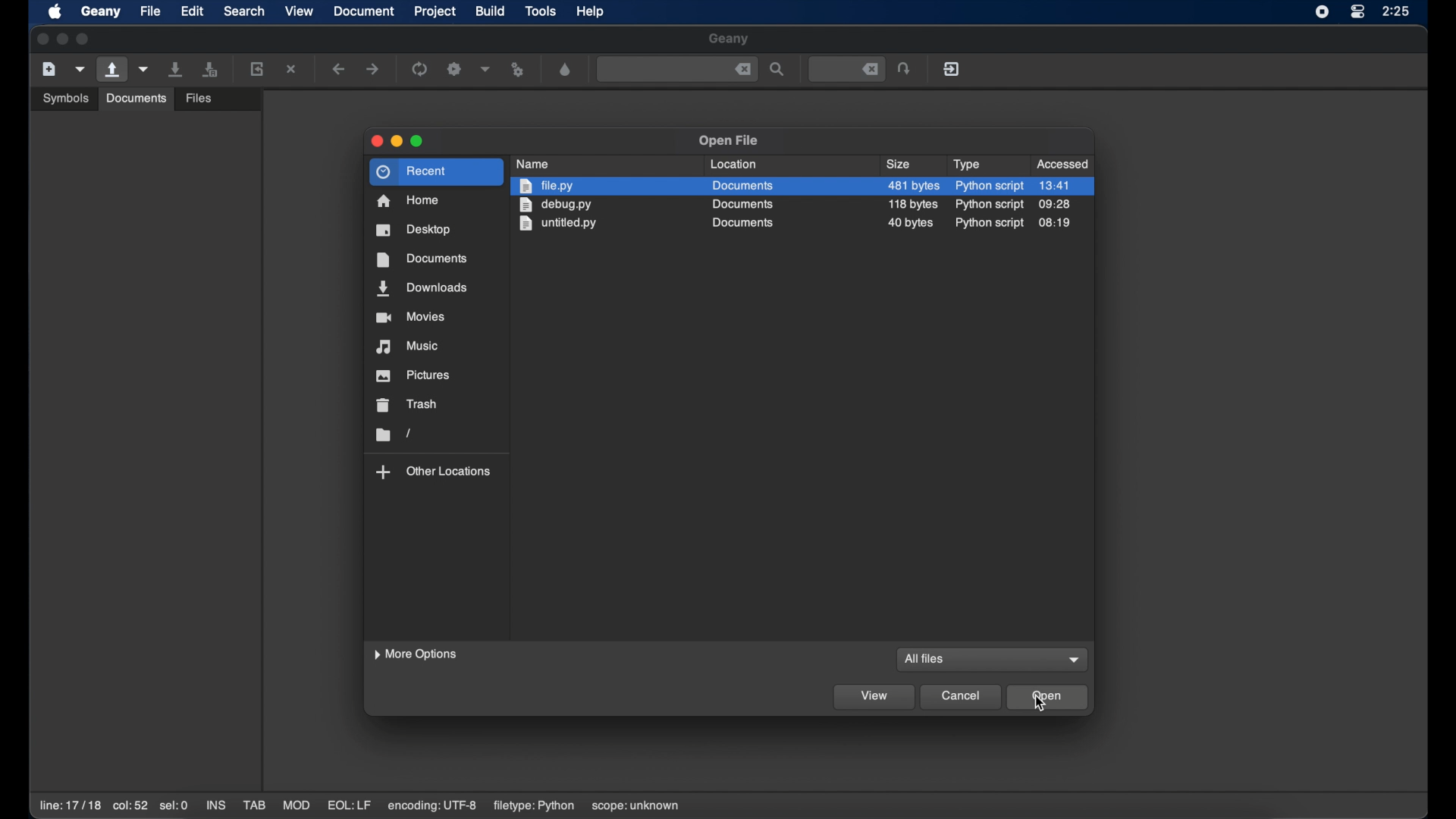 The image size is (1456, 819). I want to click on compile the current file, so click(422, 69).